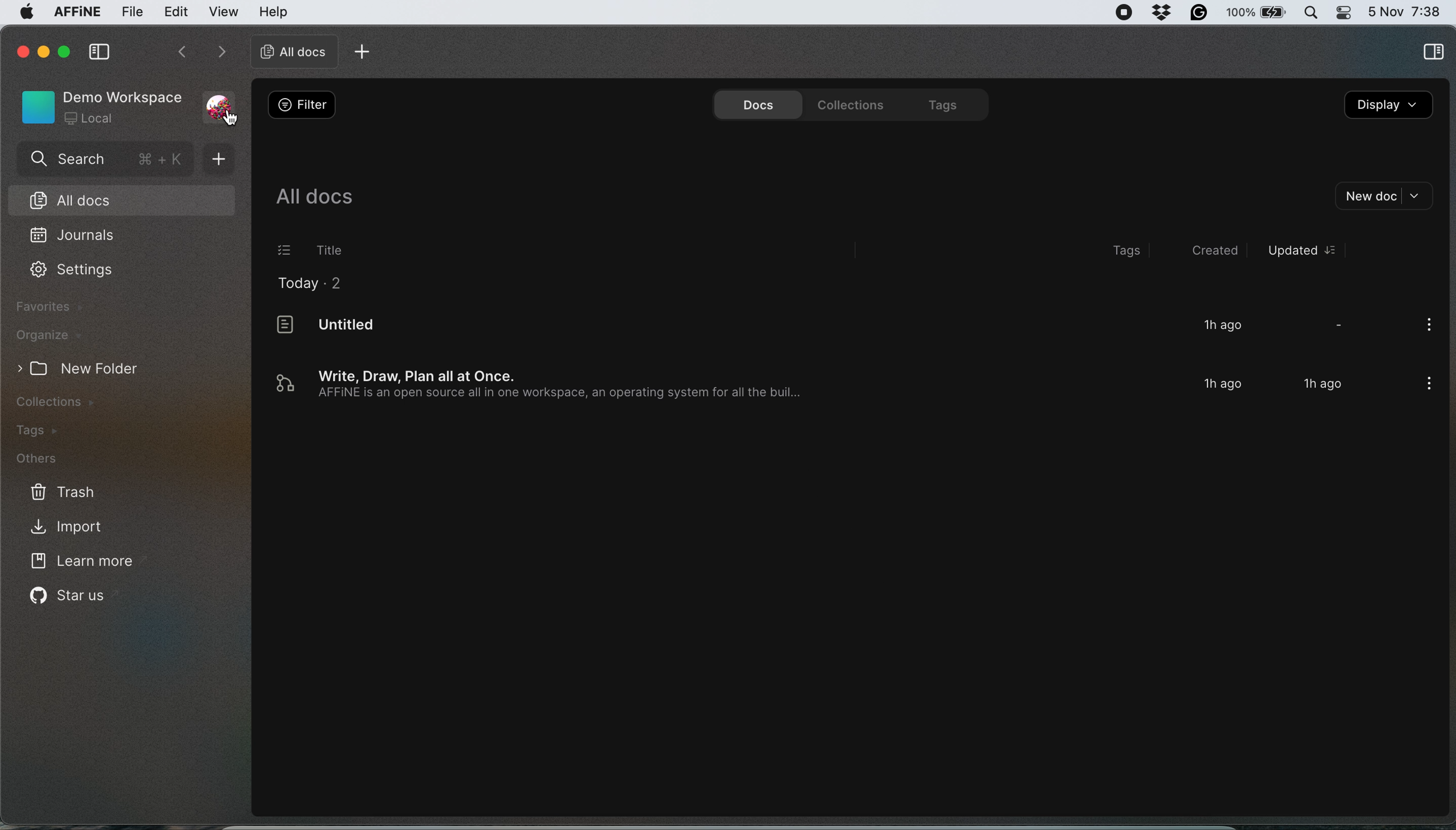  I want to click on grammarly, so click(1201, 13).